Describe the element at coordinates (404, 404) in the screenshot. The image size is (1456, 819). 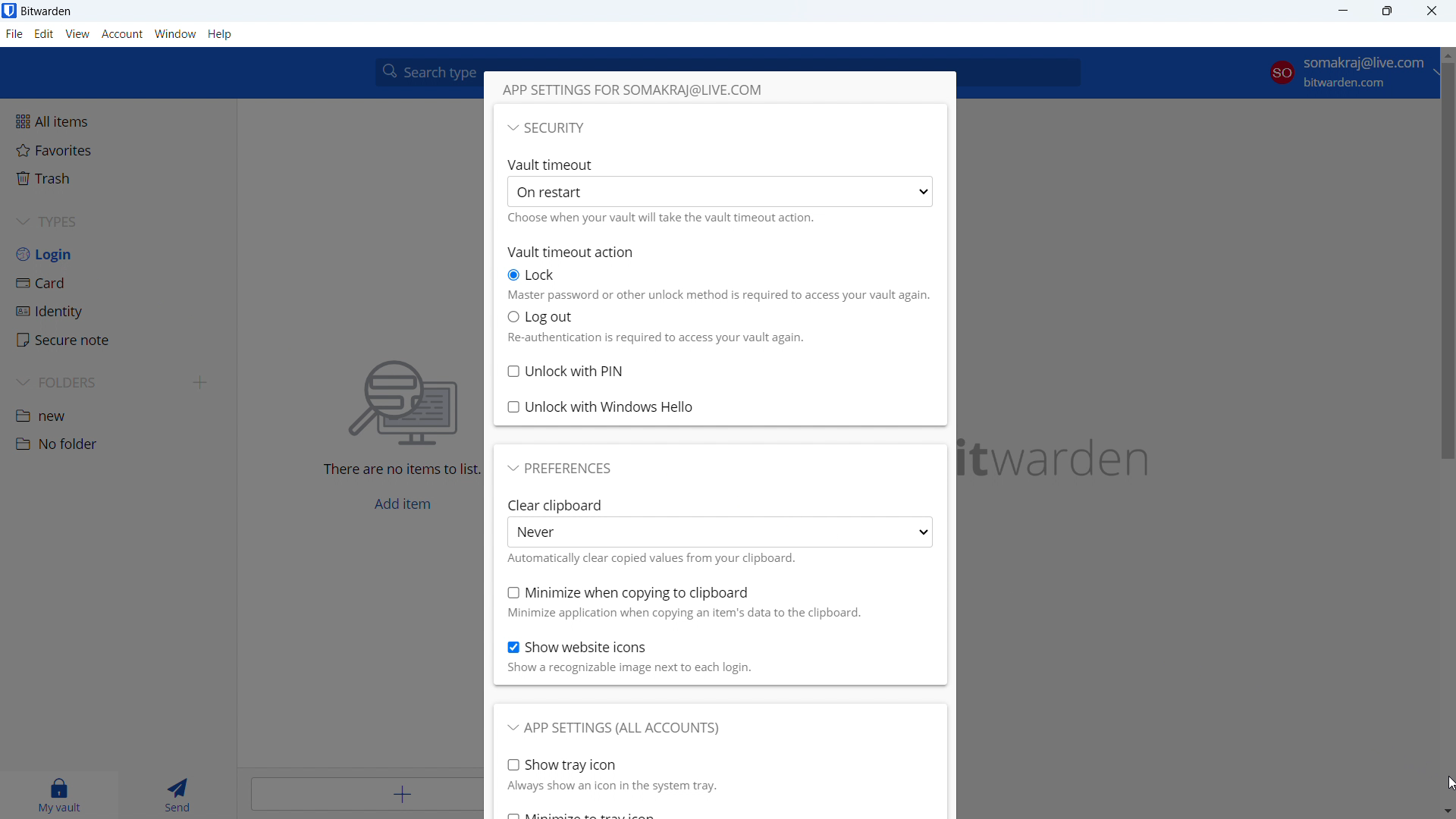
I see `searching for file vector icon` at that location.